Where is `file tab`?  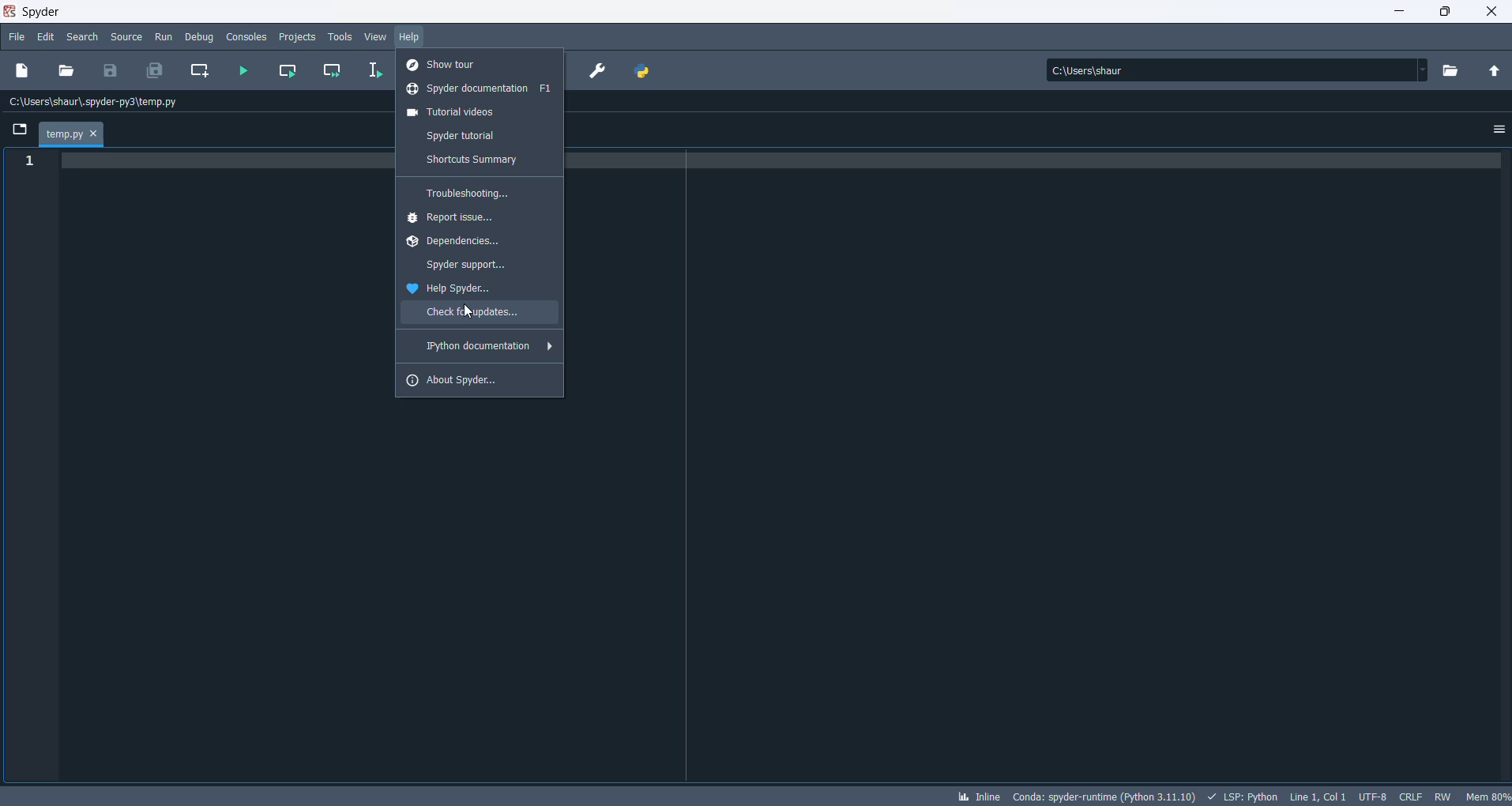
file tab is located at coordinates (71, 134).